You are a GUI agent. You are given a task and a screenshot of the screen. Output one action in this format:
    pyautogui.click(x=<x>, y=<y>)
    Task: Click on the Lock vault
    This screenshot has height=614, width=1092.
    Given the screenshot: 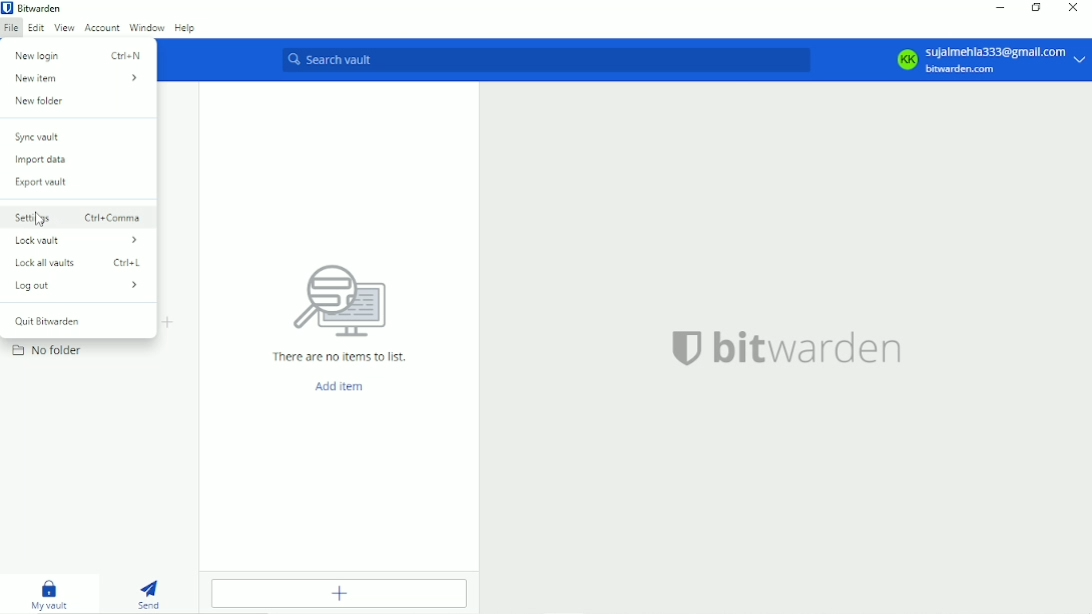 What is the action you would take?
    pyautogui.click(x=77, y=240)
    